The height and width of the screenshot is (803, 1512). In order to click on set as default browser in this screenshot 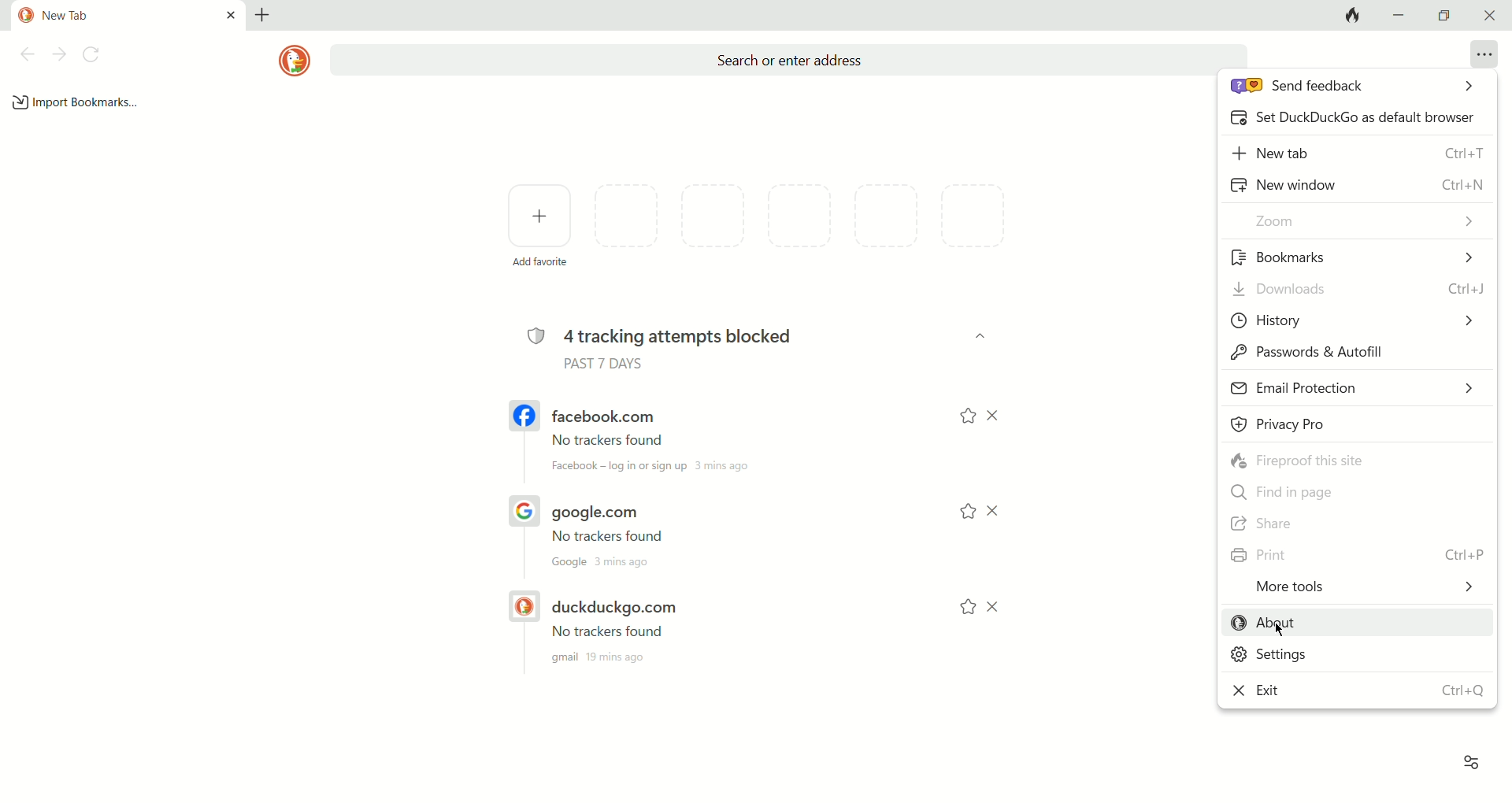, I will do `click(1353, 121)`.